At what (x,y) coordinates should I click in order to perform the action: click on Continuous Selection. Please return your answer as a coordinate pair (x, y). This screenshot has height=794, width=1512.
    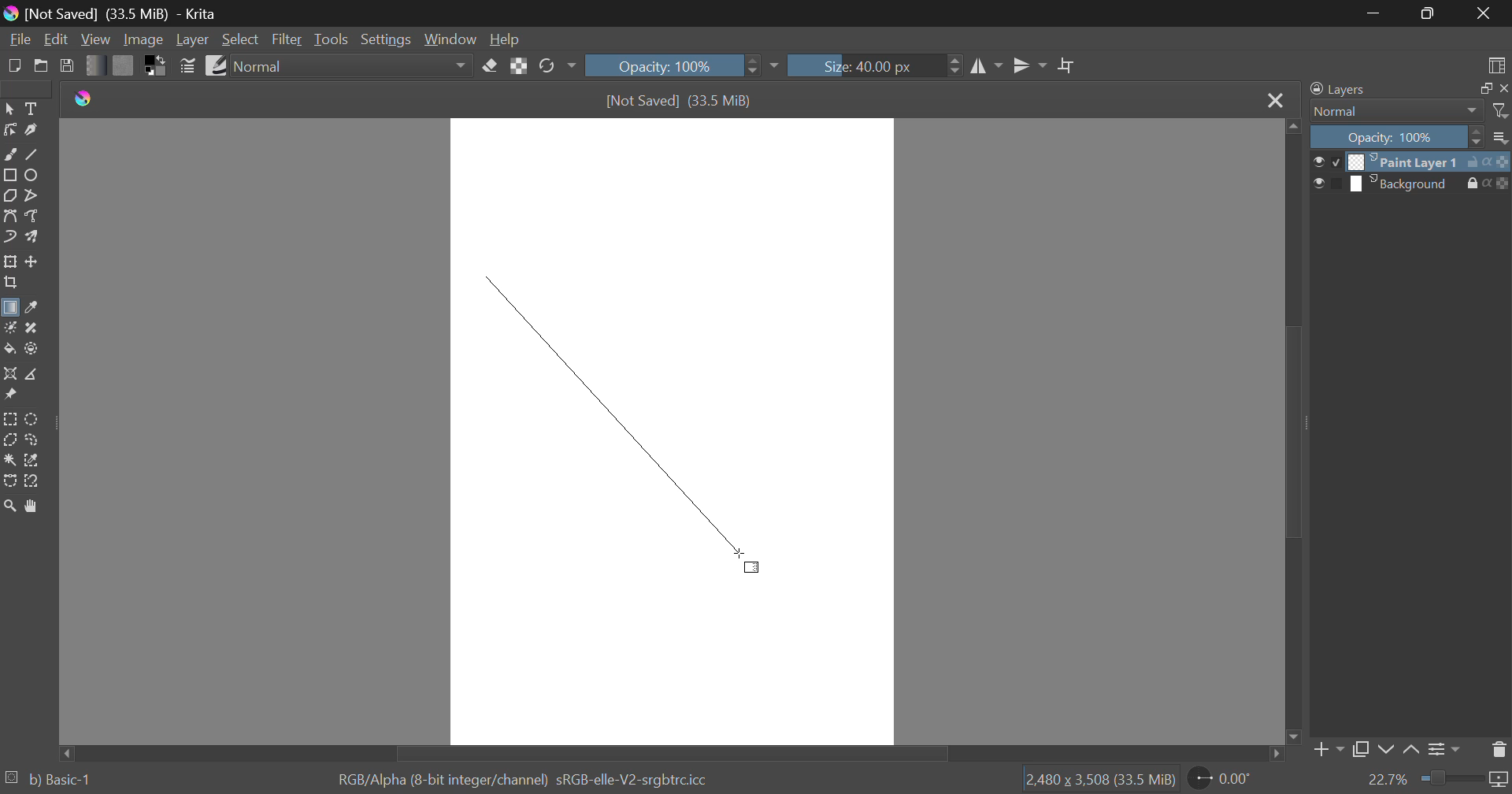
    Looking at the image, I should click on (9, 459).